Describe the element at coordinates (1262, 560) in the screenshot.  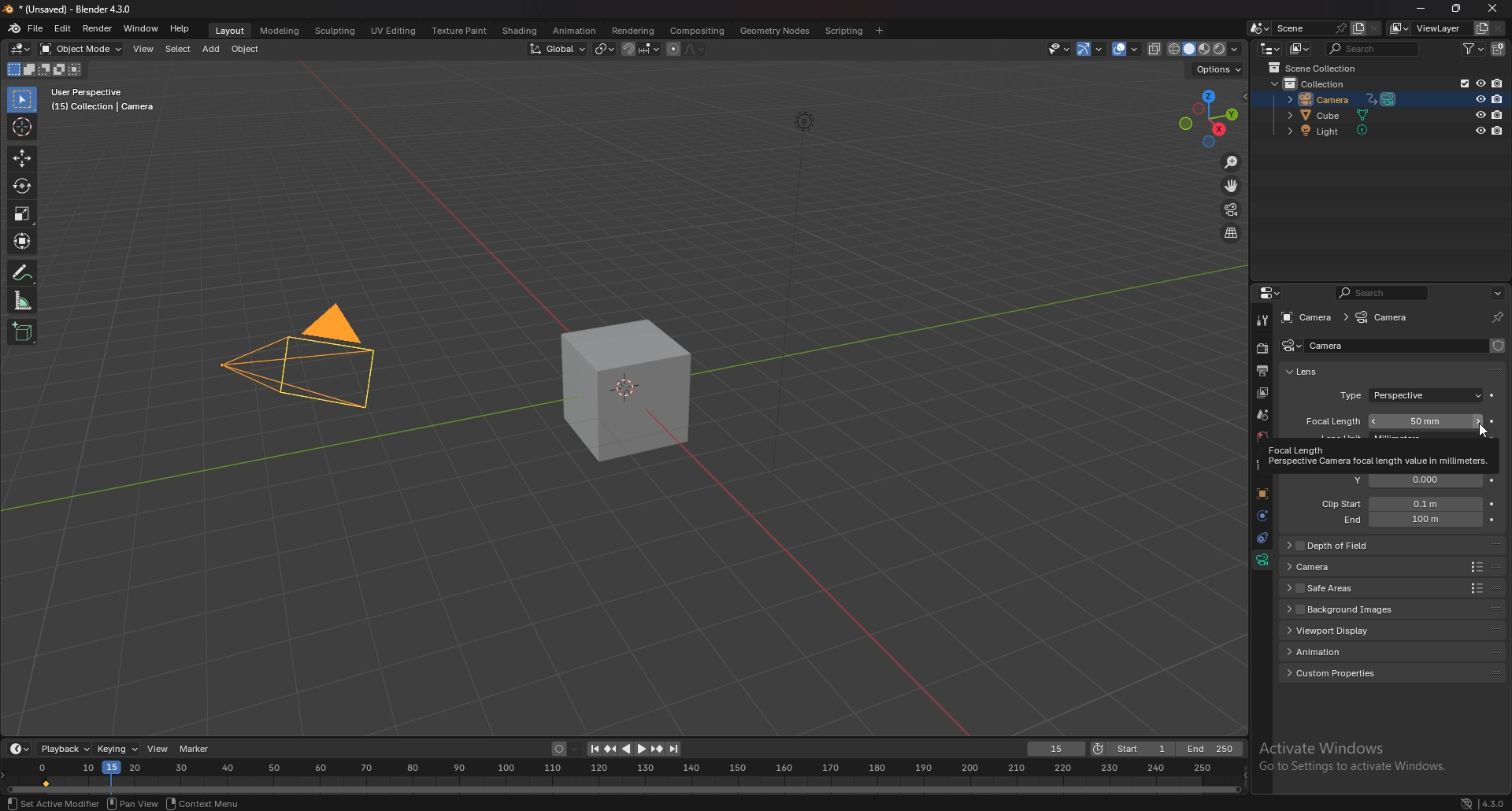
I see `data` at that location.